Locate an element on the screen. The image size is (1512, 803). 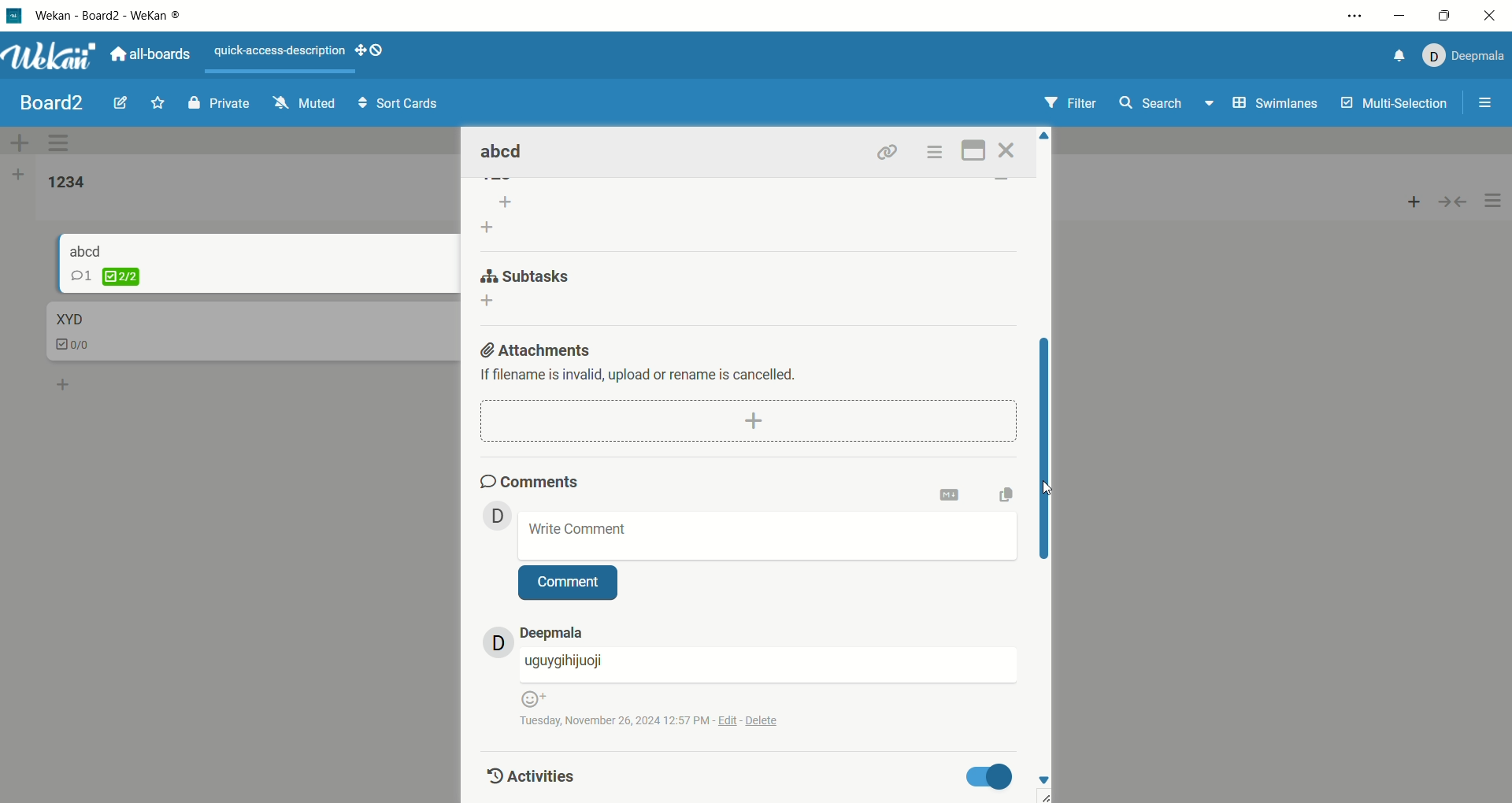
copy is located at coordinates (1012, 493).